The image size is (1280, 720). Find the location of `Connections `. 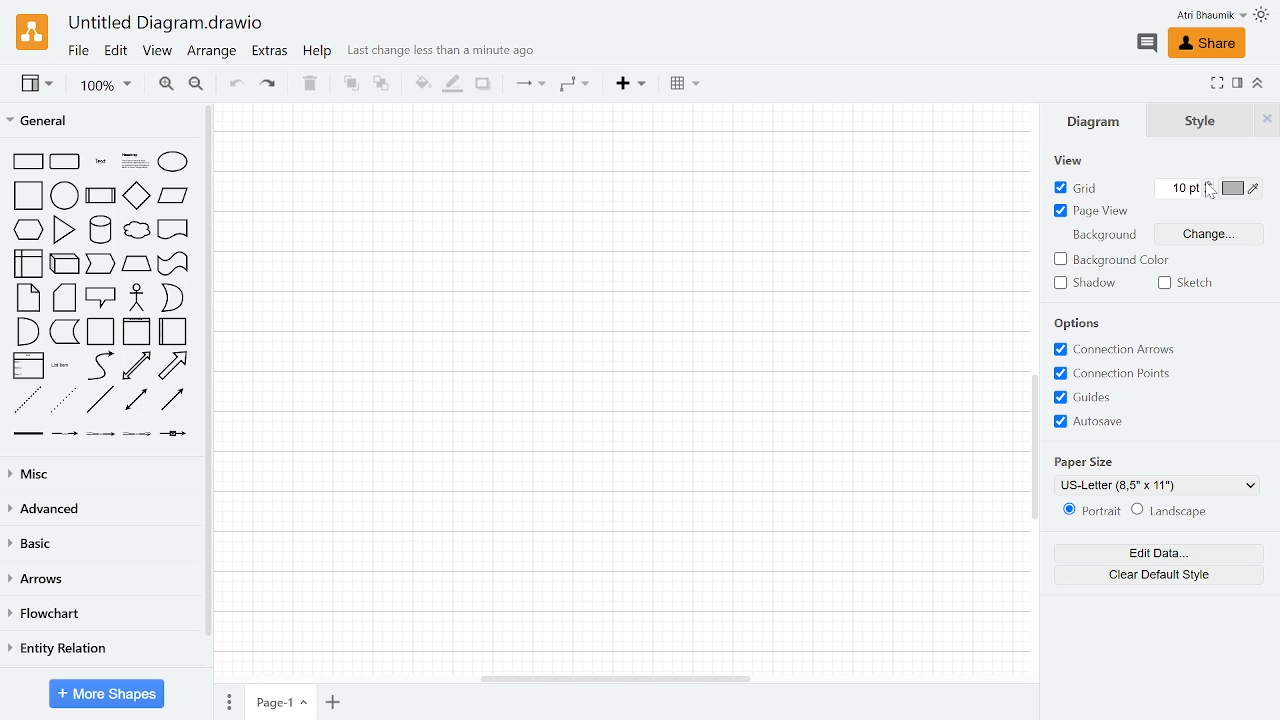

Connections  is located at coordinates (531, 84).